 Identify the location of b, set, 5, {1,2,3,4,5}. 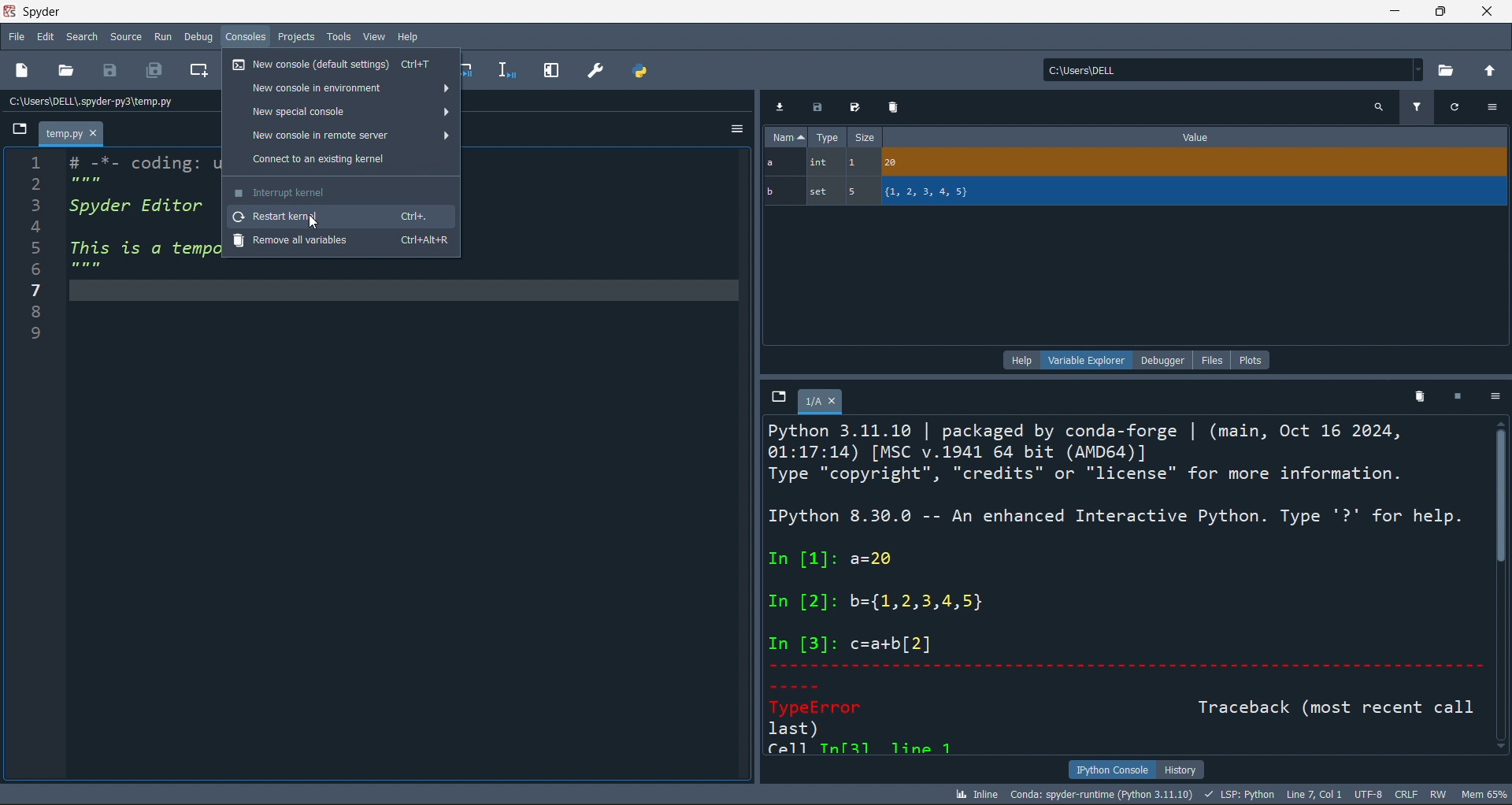
(1135, 194).